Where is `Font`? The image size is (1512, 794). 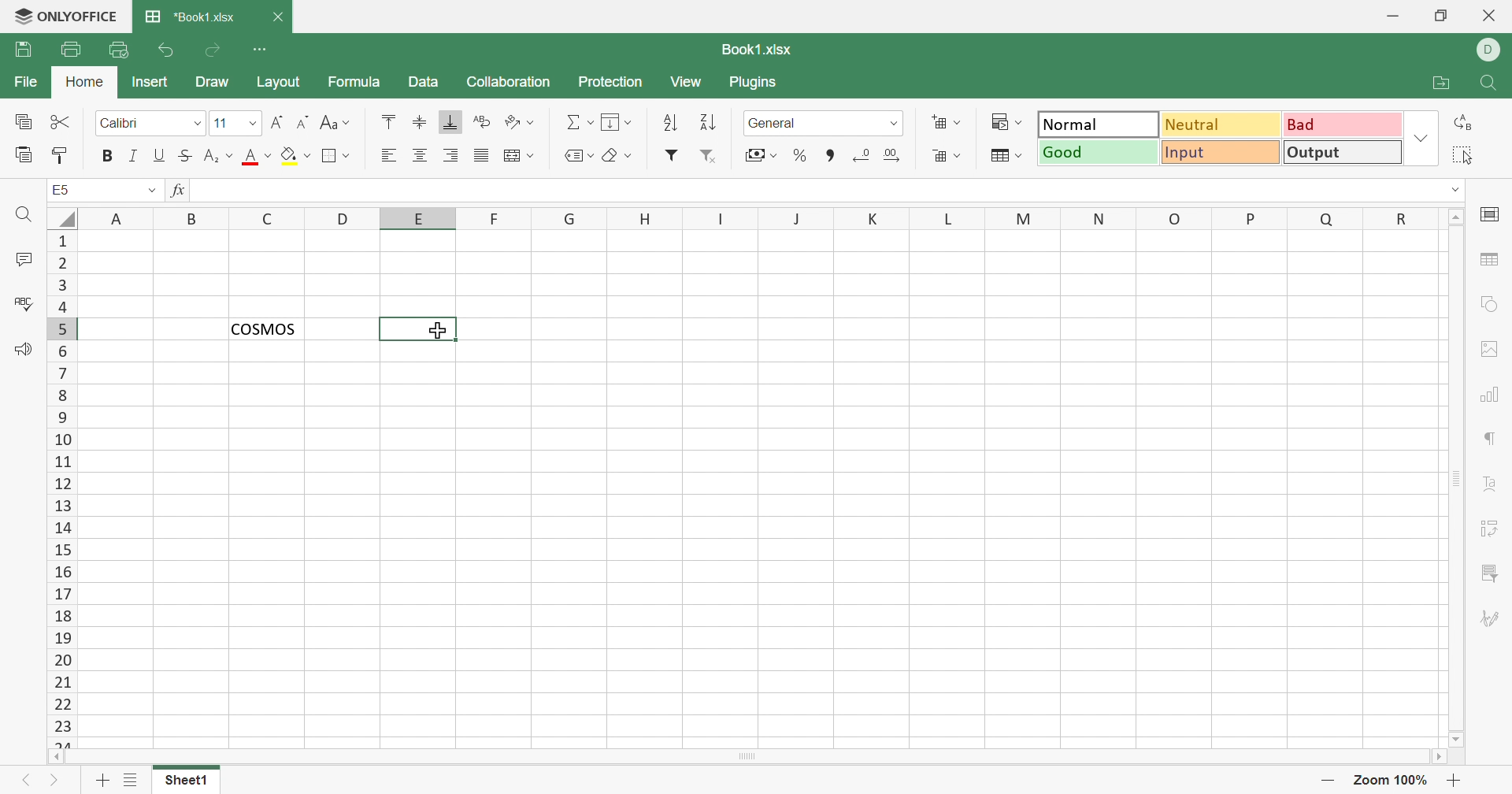 Font is located at coordinates (138, 124).